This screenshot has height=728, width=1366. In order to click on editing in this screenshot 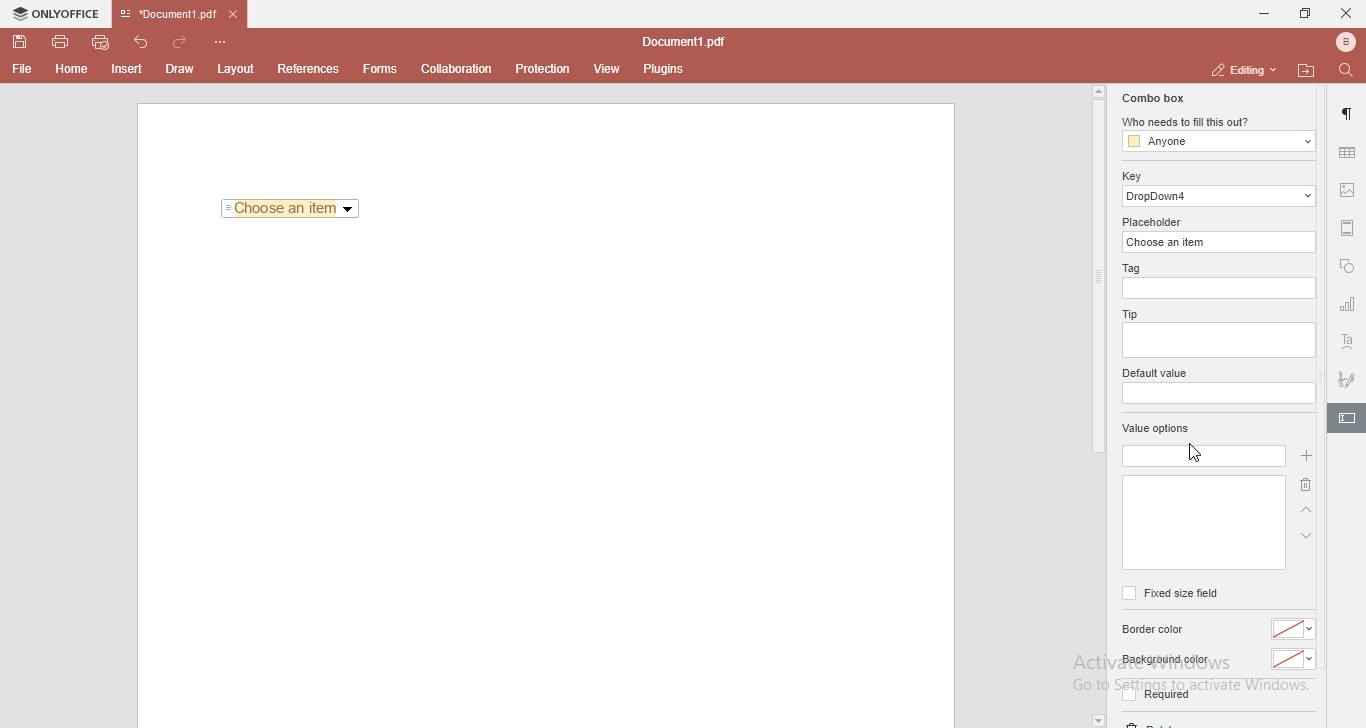, I will do `click(1241, 69)`.